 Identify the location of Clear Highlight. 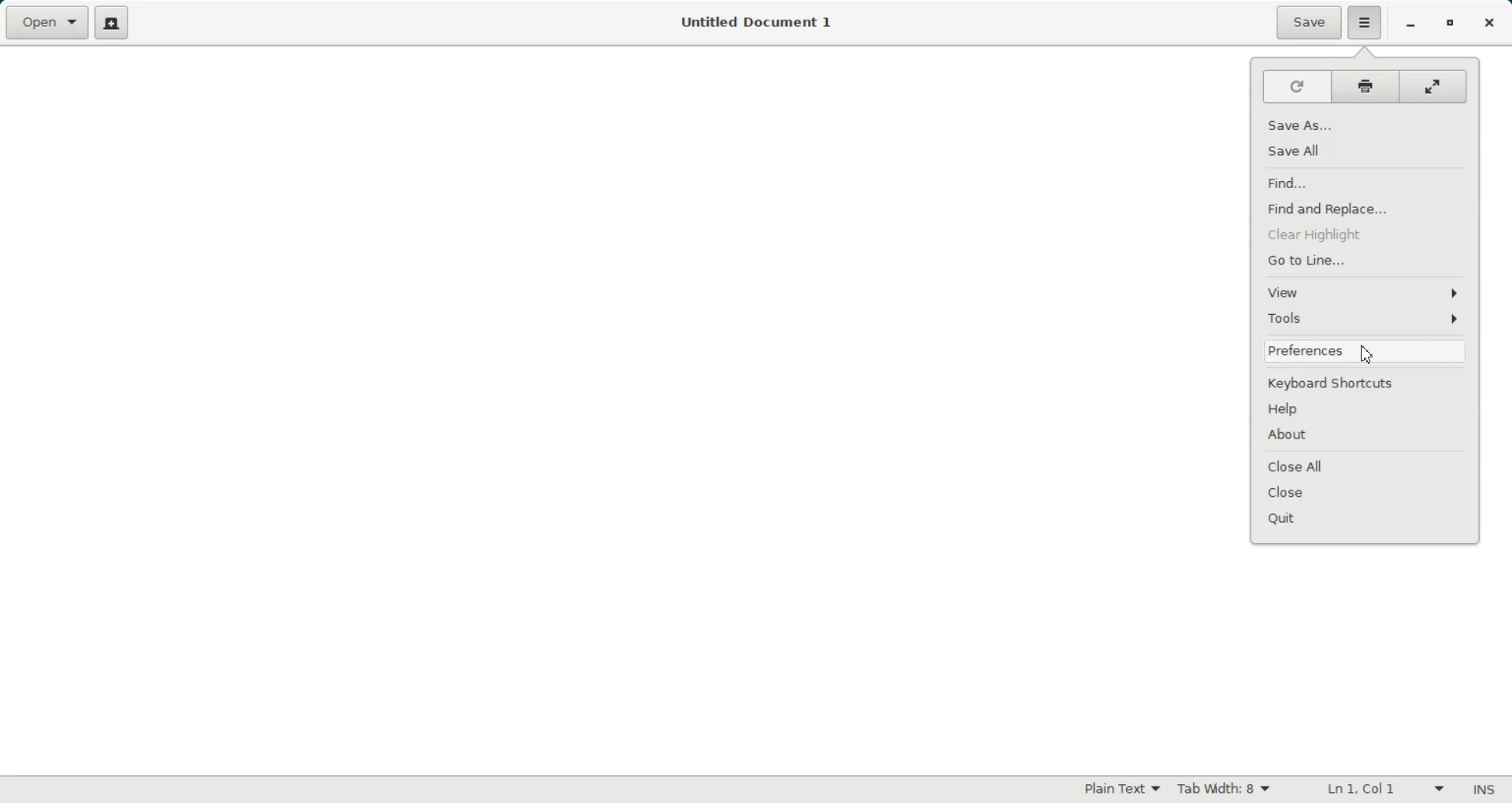
(1366, 232).